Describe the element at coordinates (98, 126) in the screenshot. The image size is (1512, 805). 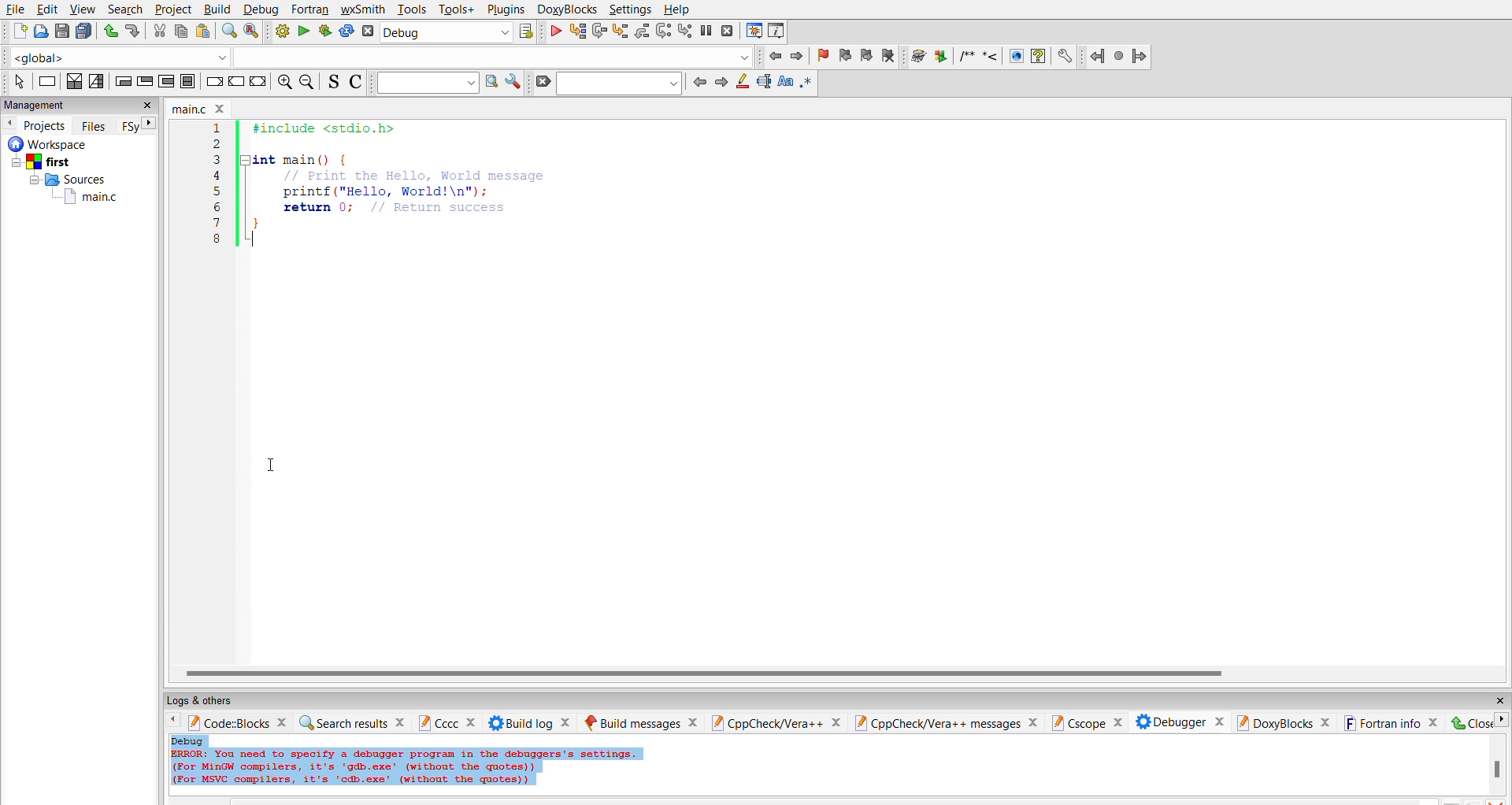
I see `files` at that location.